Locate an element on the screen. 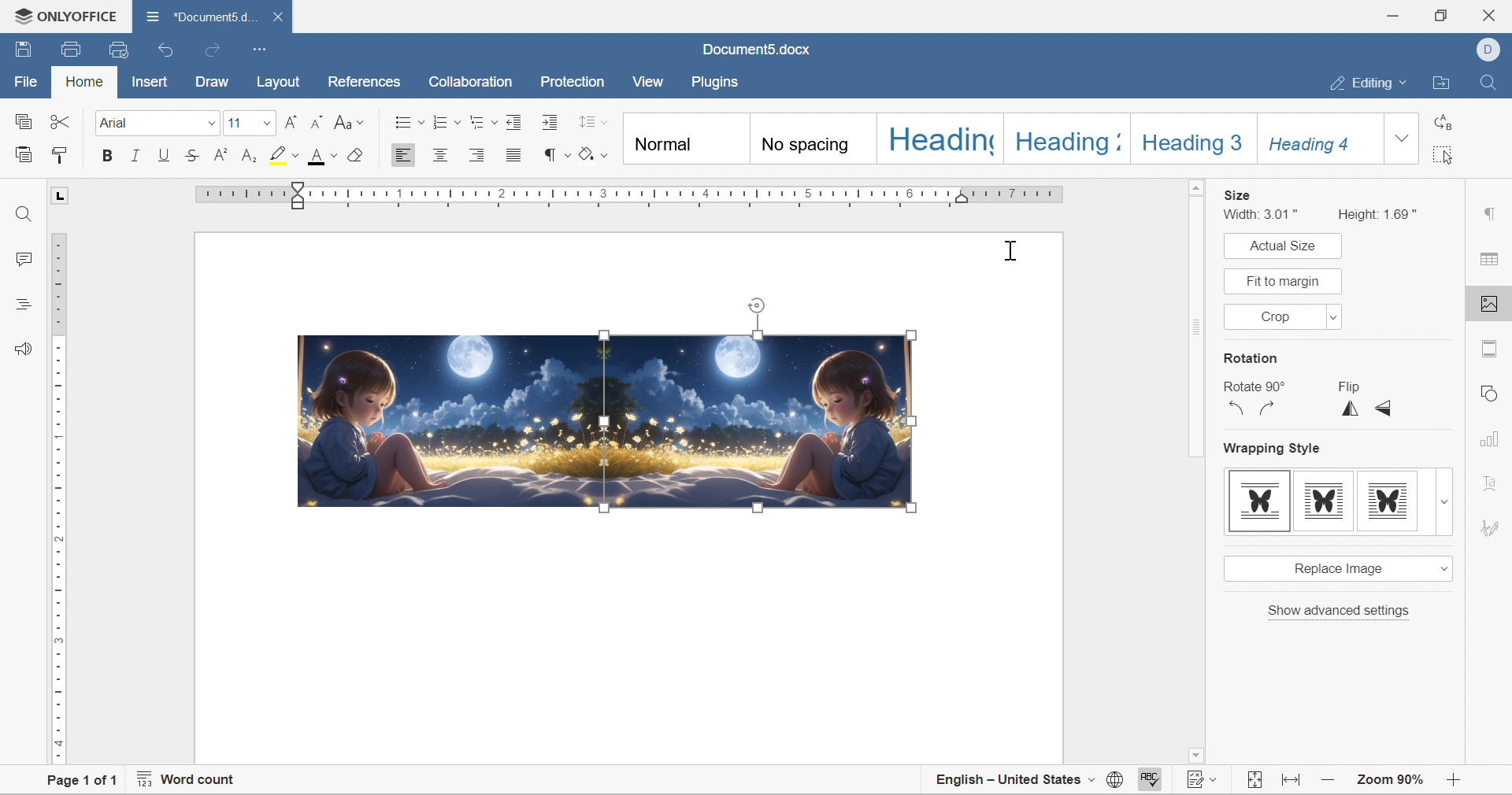 This screenshot has height=795, width=1512. collaboration is located at coordinates (473, 83).